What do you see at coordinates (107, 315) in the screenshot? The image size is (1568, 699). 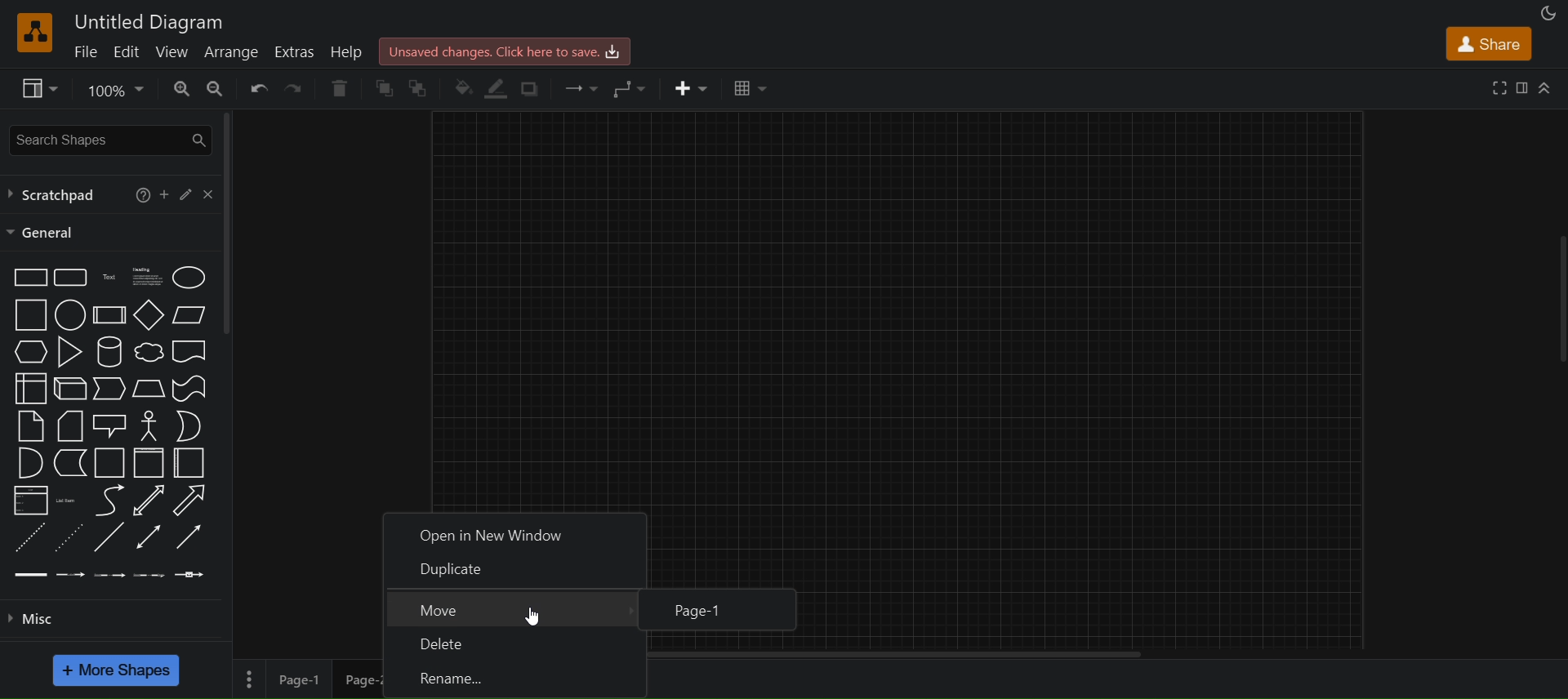 I see `process` at bounding box center [107, 315].